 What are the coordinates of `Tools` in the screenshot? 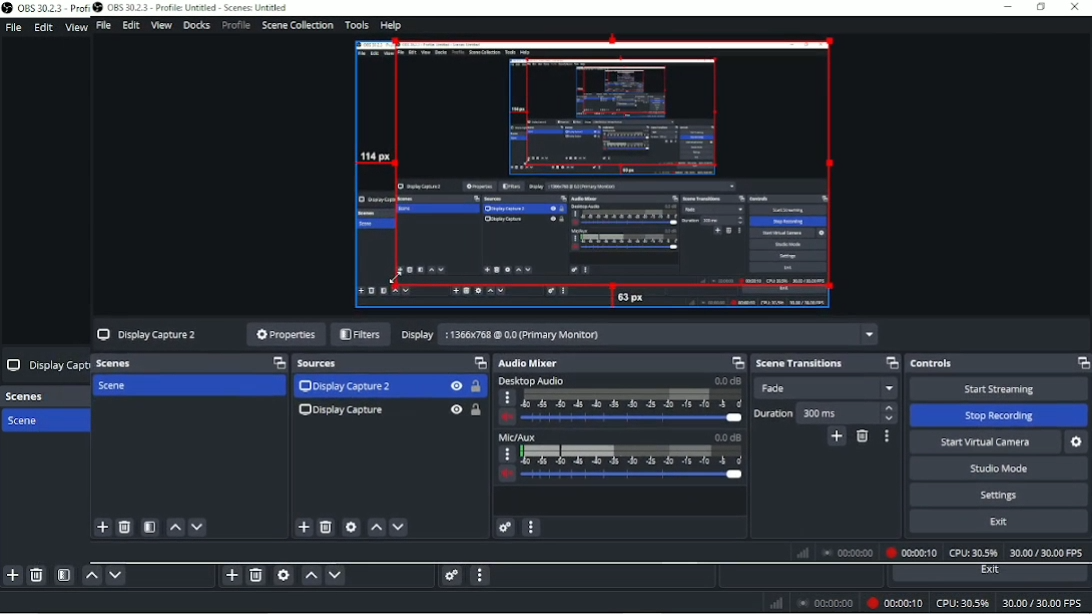 It's located at (357, 24).